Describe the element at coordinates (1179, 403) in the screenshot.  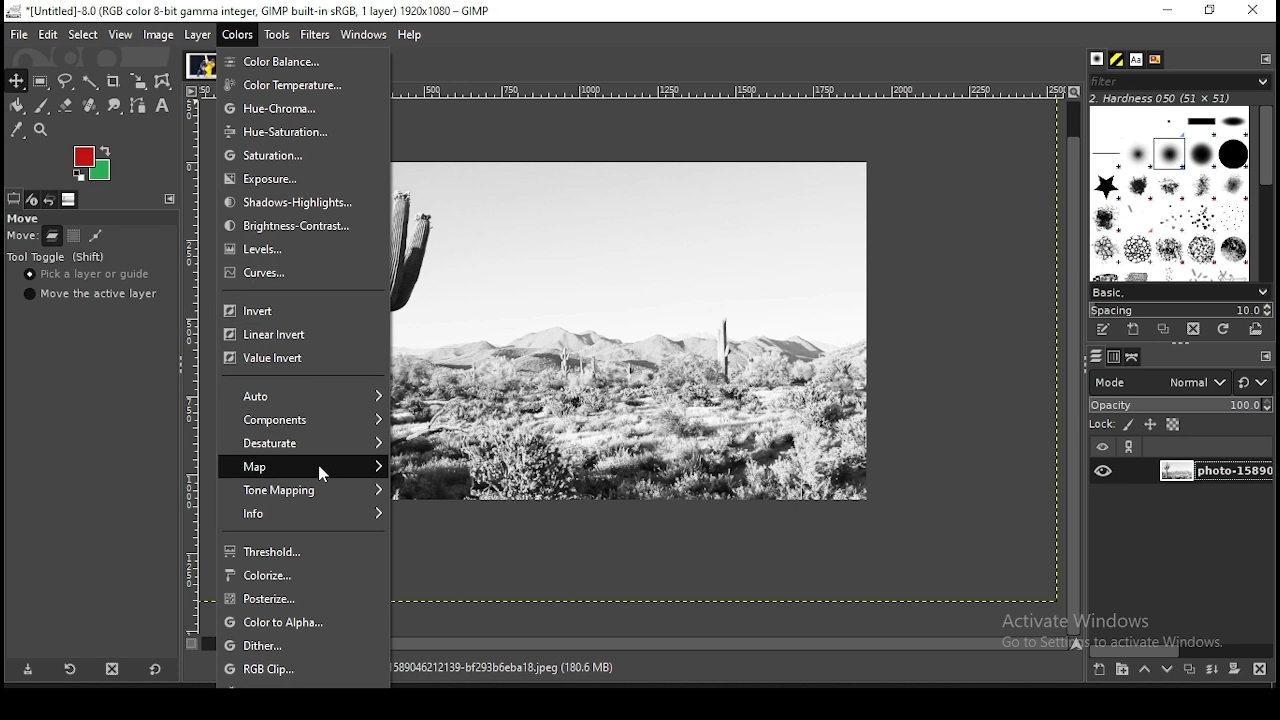
I see `opacity` at that location.